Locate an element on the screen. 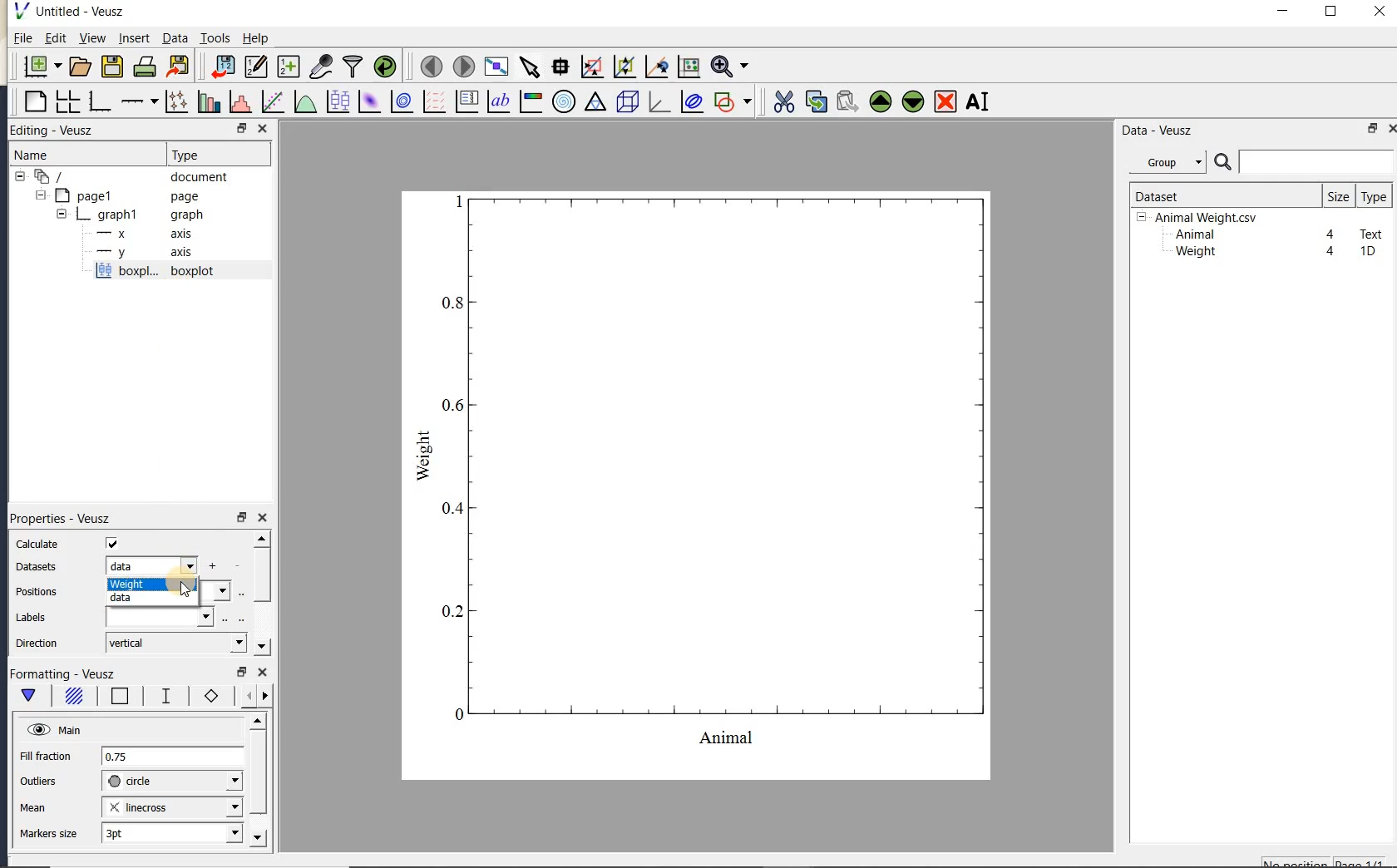 Image resolution: width=1397 pixels, height=868 pixels. close is located at coordinates (1380, 12).